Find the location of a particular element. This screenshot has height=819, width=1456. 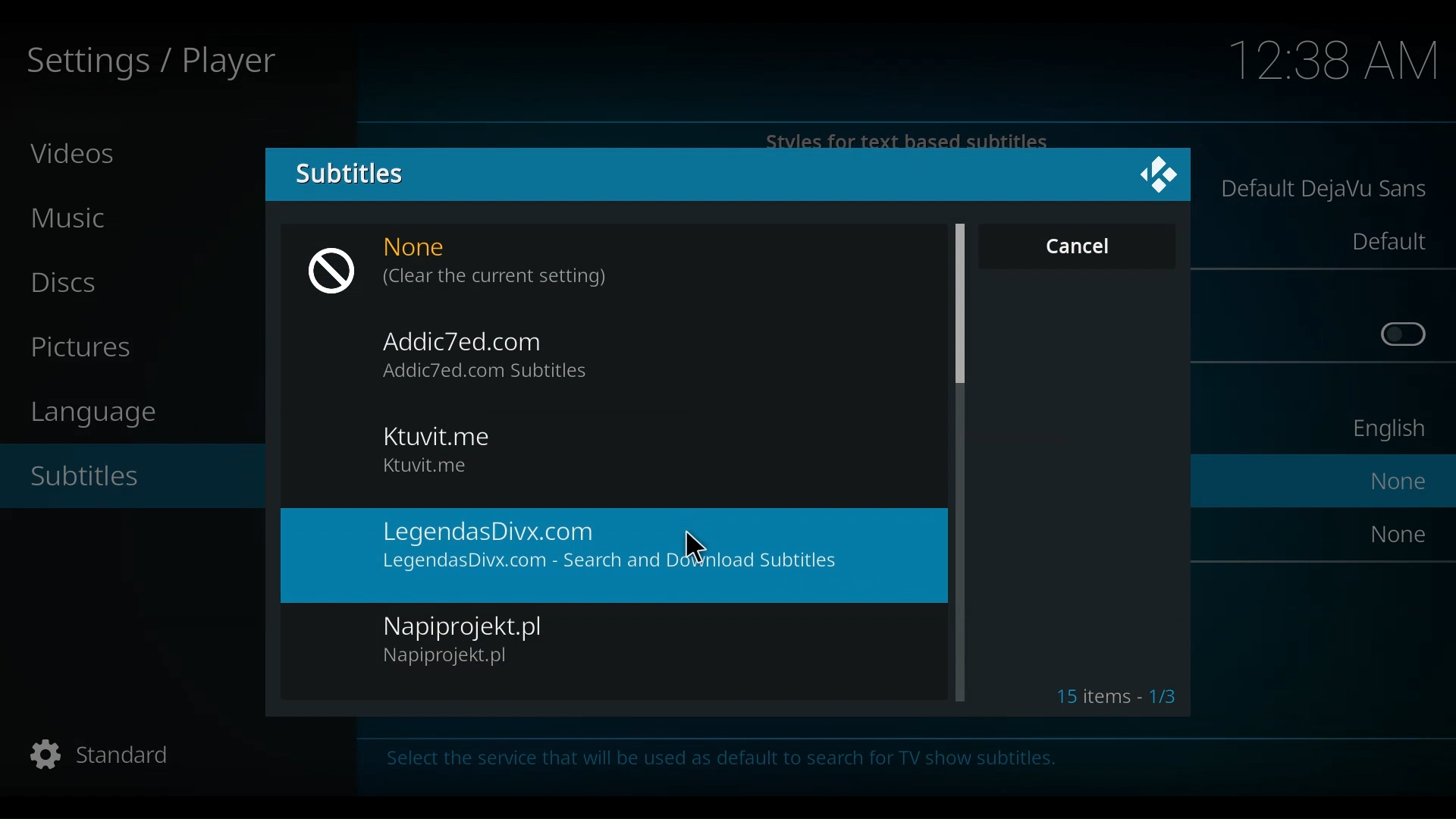

Kodi logo is located at coordinates (1154, 175).